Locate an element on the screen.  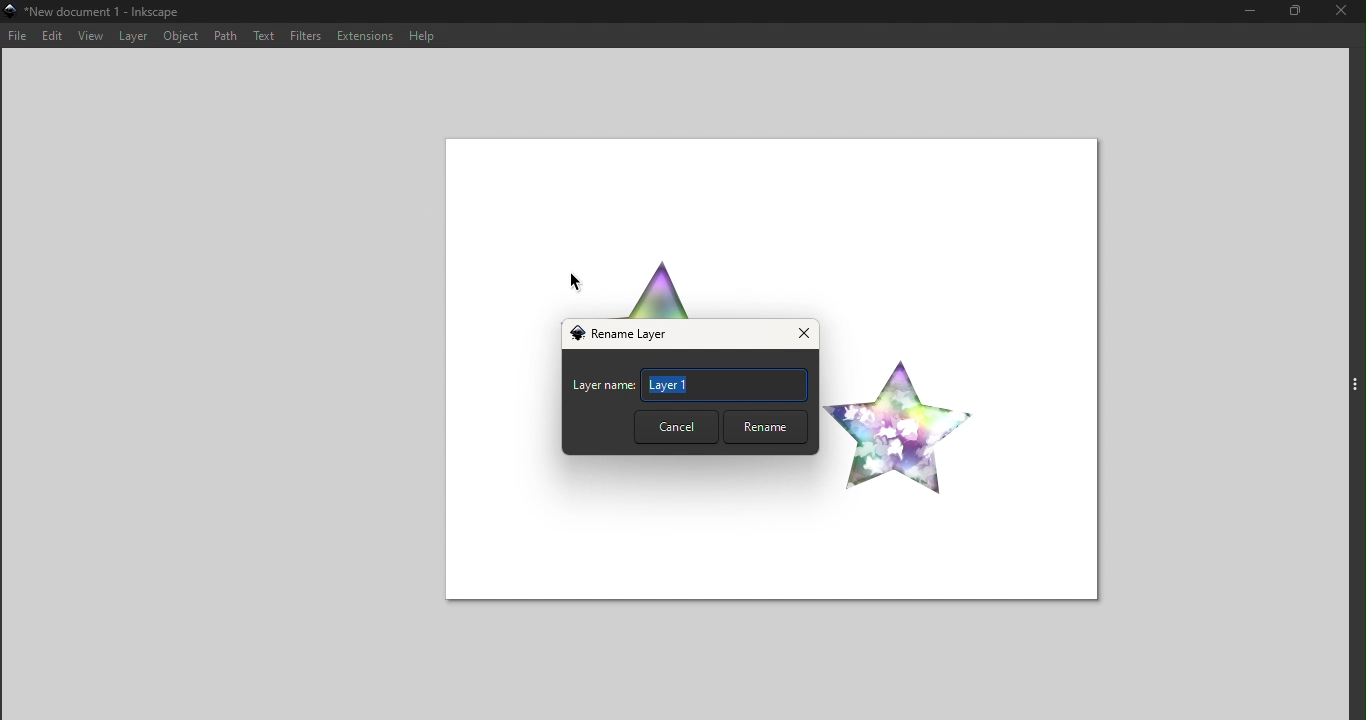
Layer name is located at coordinates (603, 388).